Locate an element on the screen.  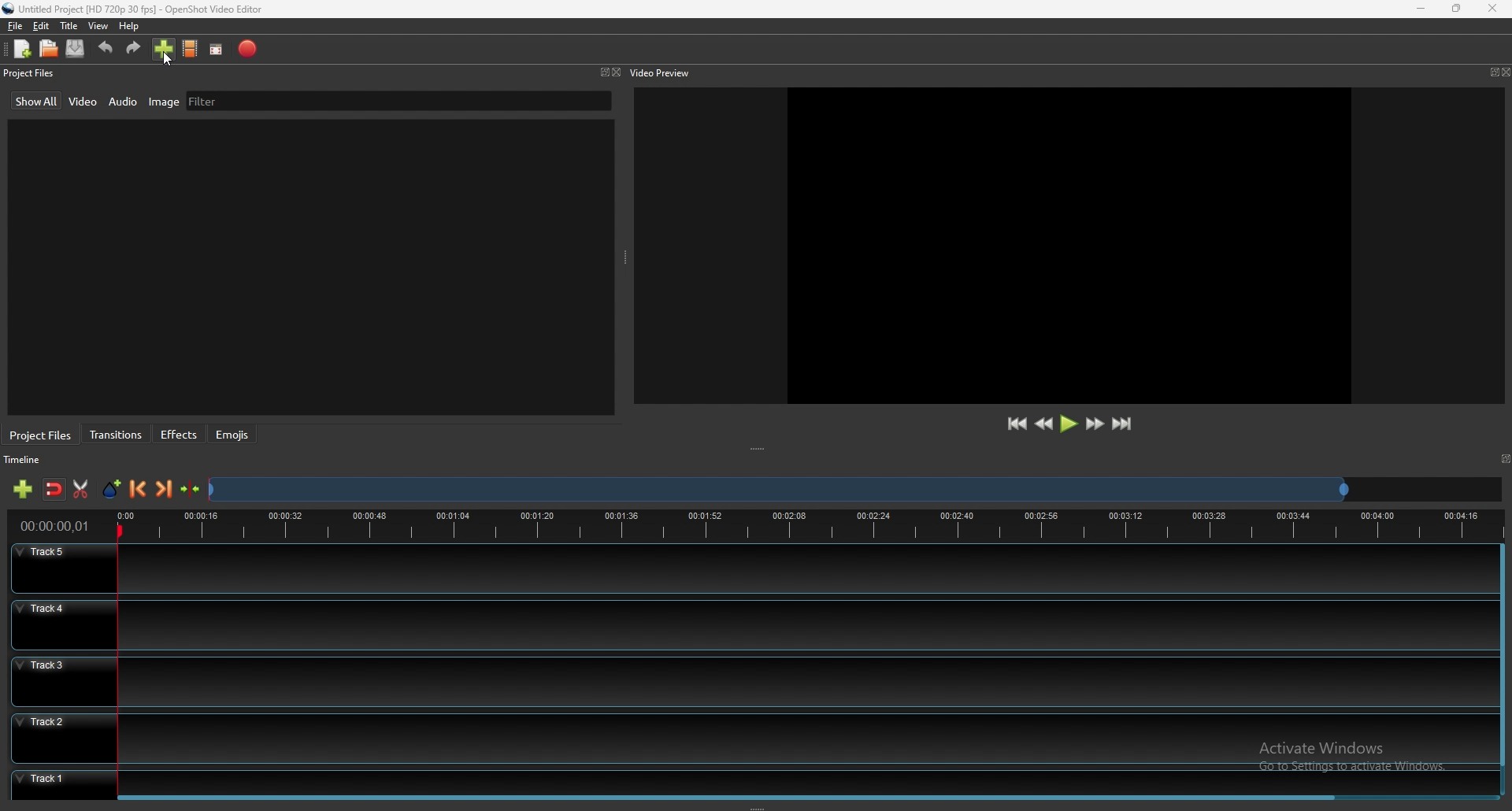
minimize is located at coordinates (1423, 9).